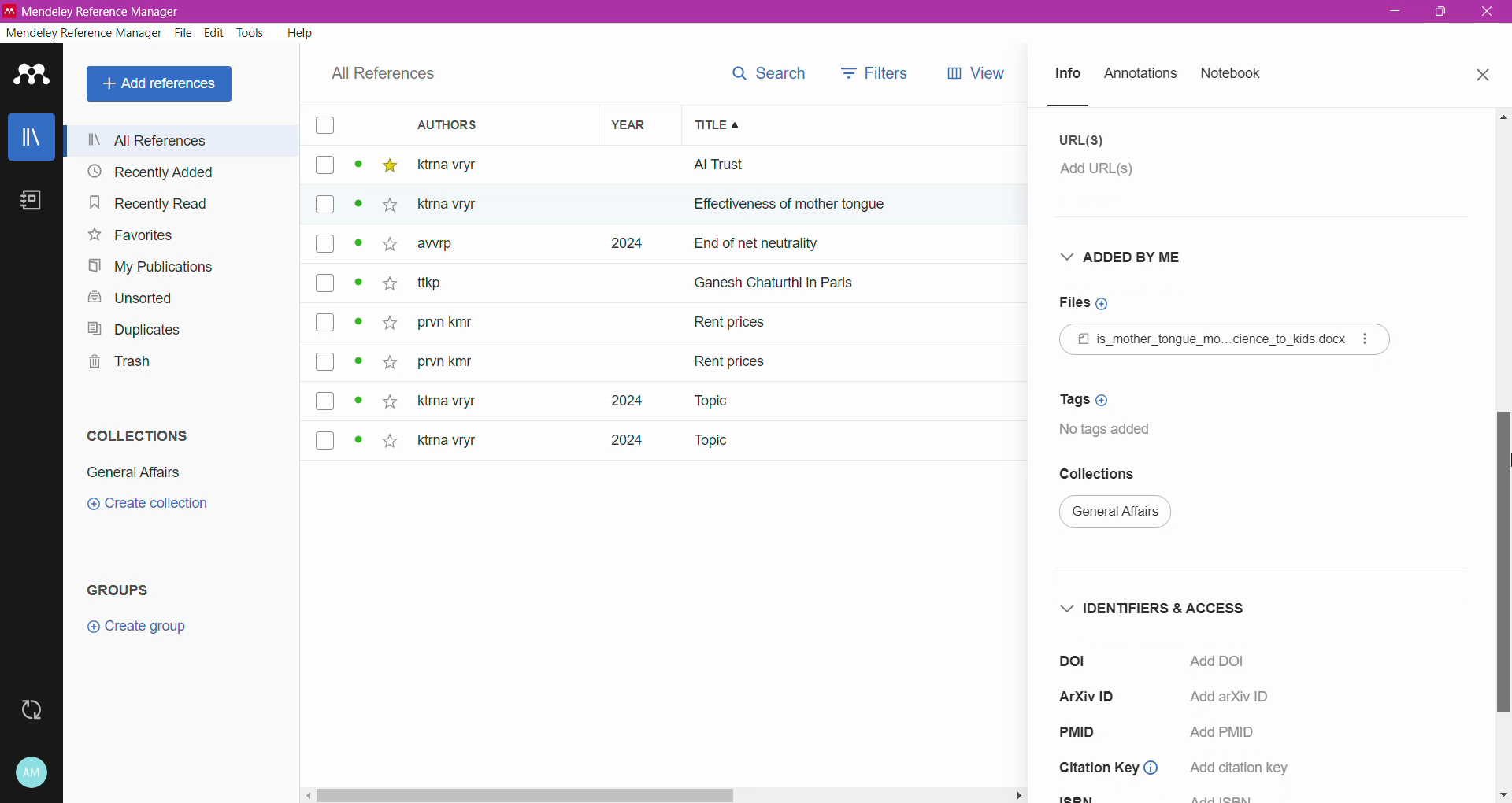 This screenshot has height=803, width=1512. I want to click on Identifiers and Access, so click(1150, 608).